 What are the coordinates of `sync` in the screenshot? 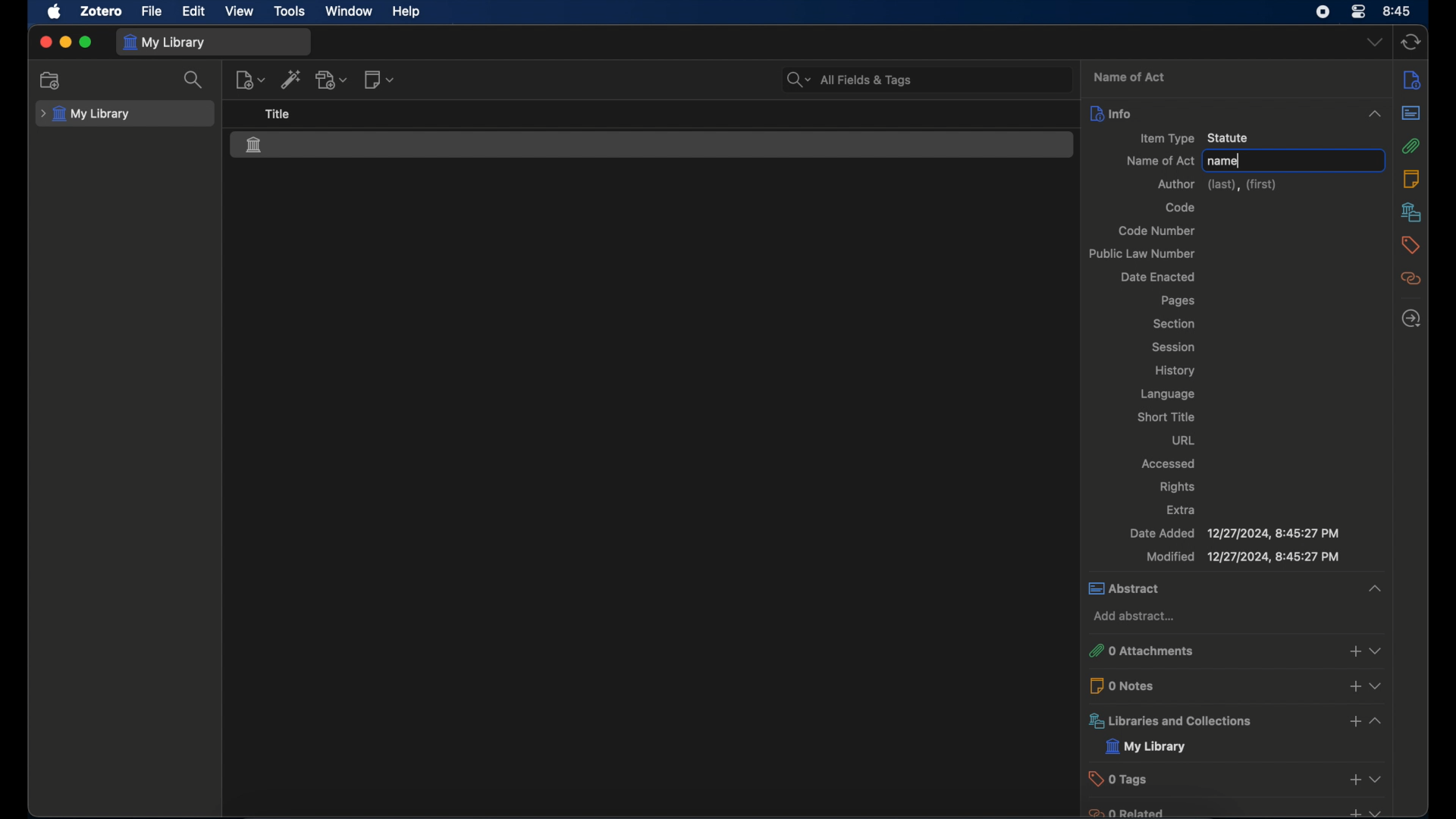 It's located at (1412, 42).